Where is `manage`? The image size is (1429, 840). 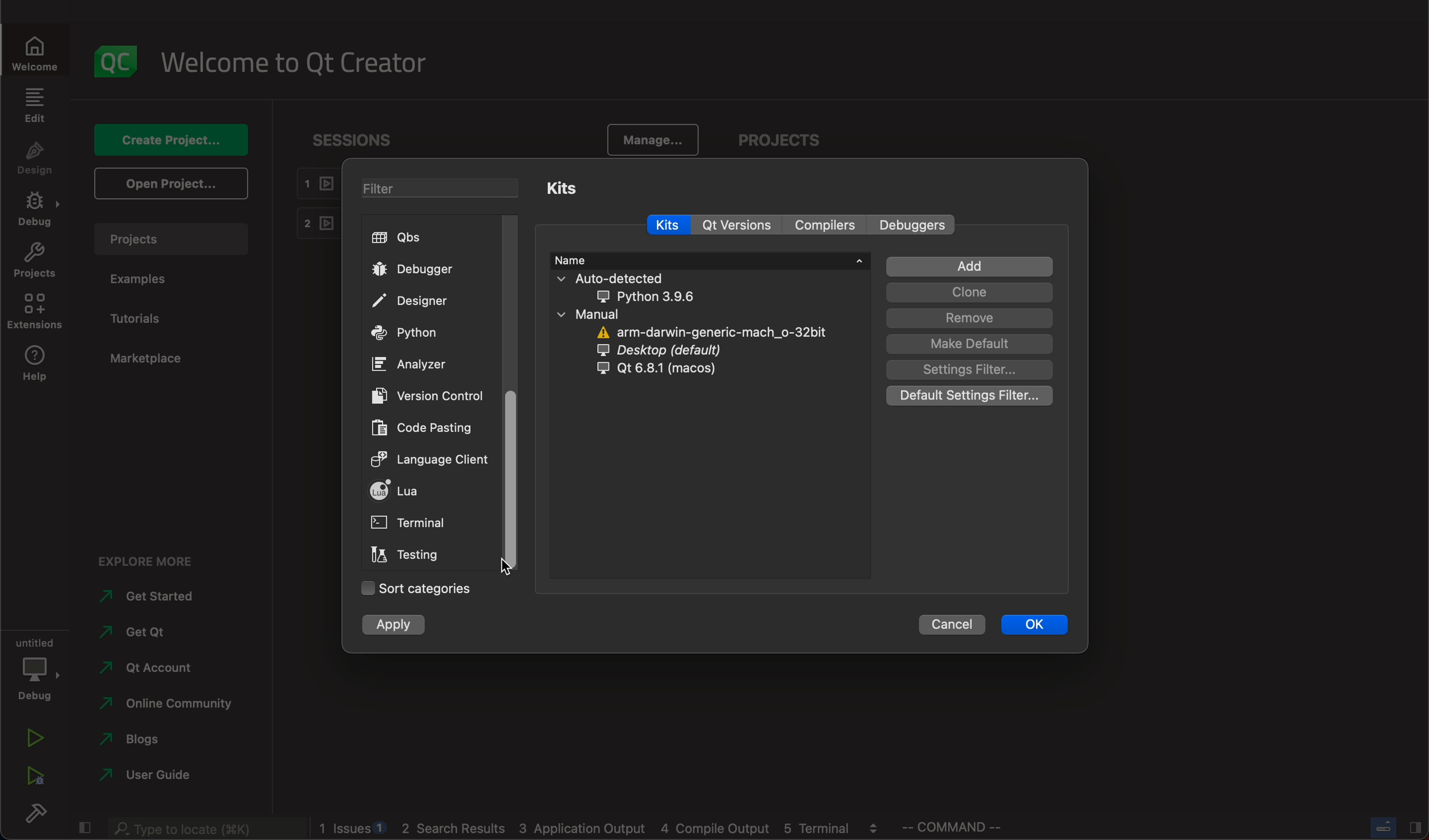
manage is located at coordinates (653, 139).